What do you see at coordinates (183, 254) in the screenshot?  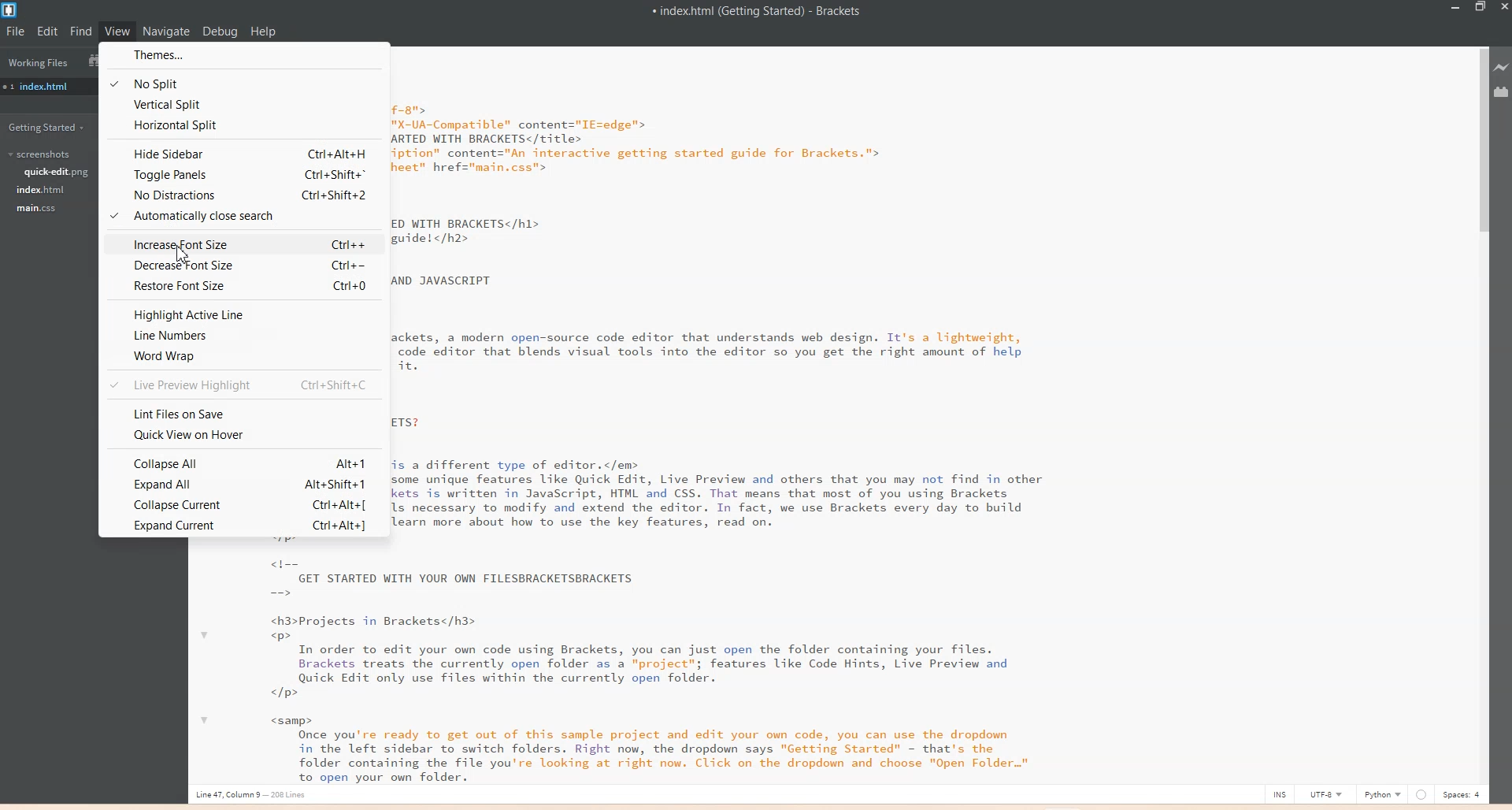 I see `cursor` at bounding box center [183, 254].